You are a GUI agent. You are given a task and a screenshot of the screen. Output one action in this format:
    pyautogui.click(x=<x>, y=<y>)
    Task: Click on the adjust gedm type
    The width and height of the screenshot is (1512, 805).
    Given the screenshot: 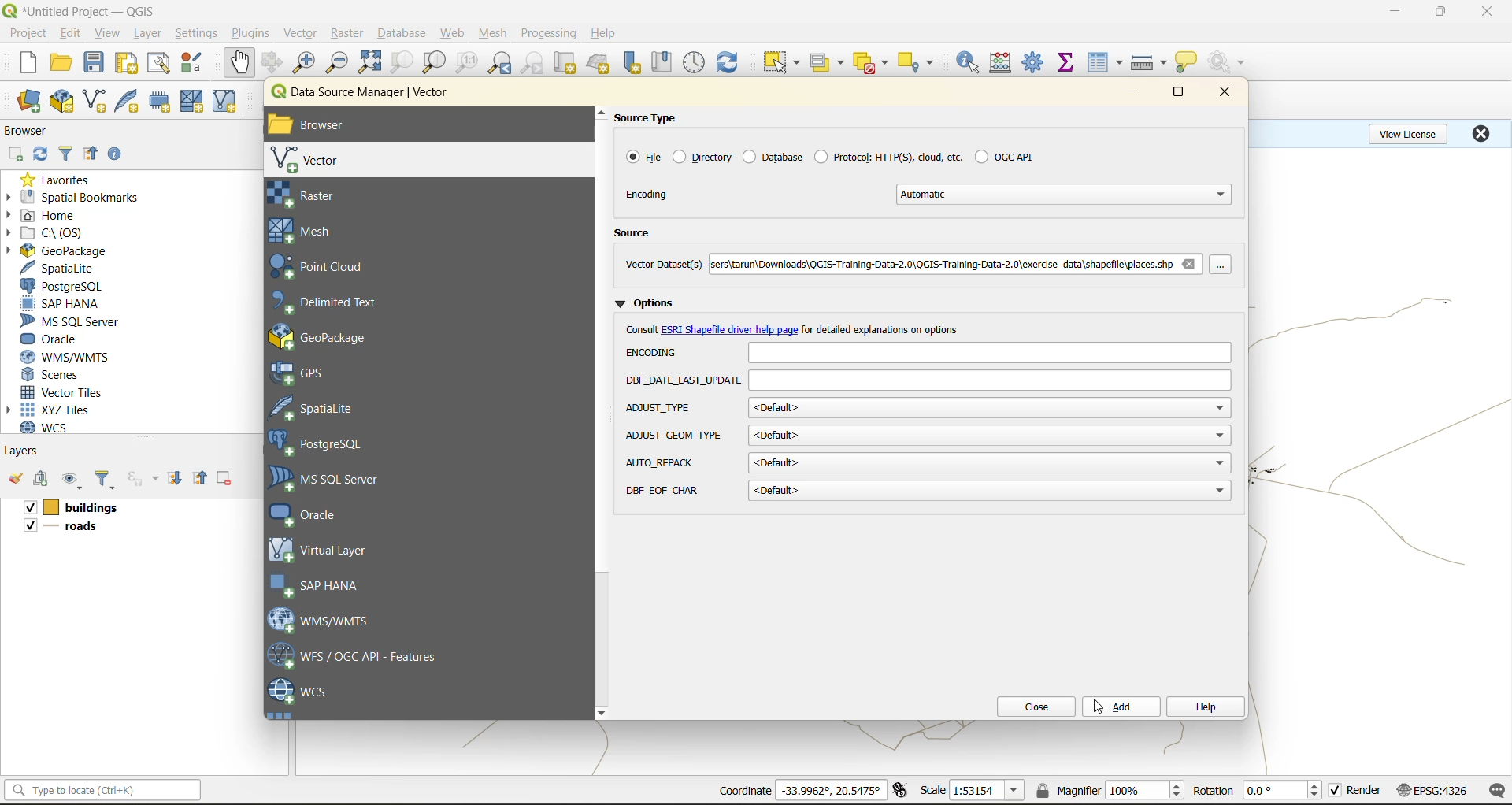 What is the action you would take?
    pyautogui.click(x=990, y=436)
    